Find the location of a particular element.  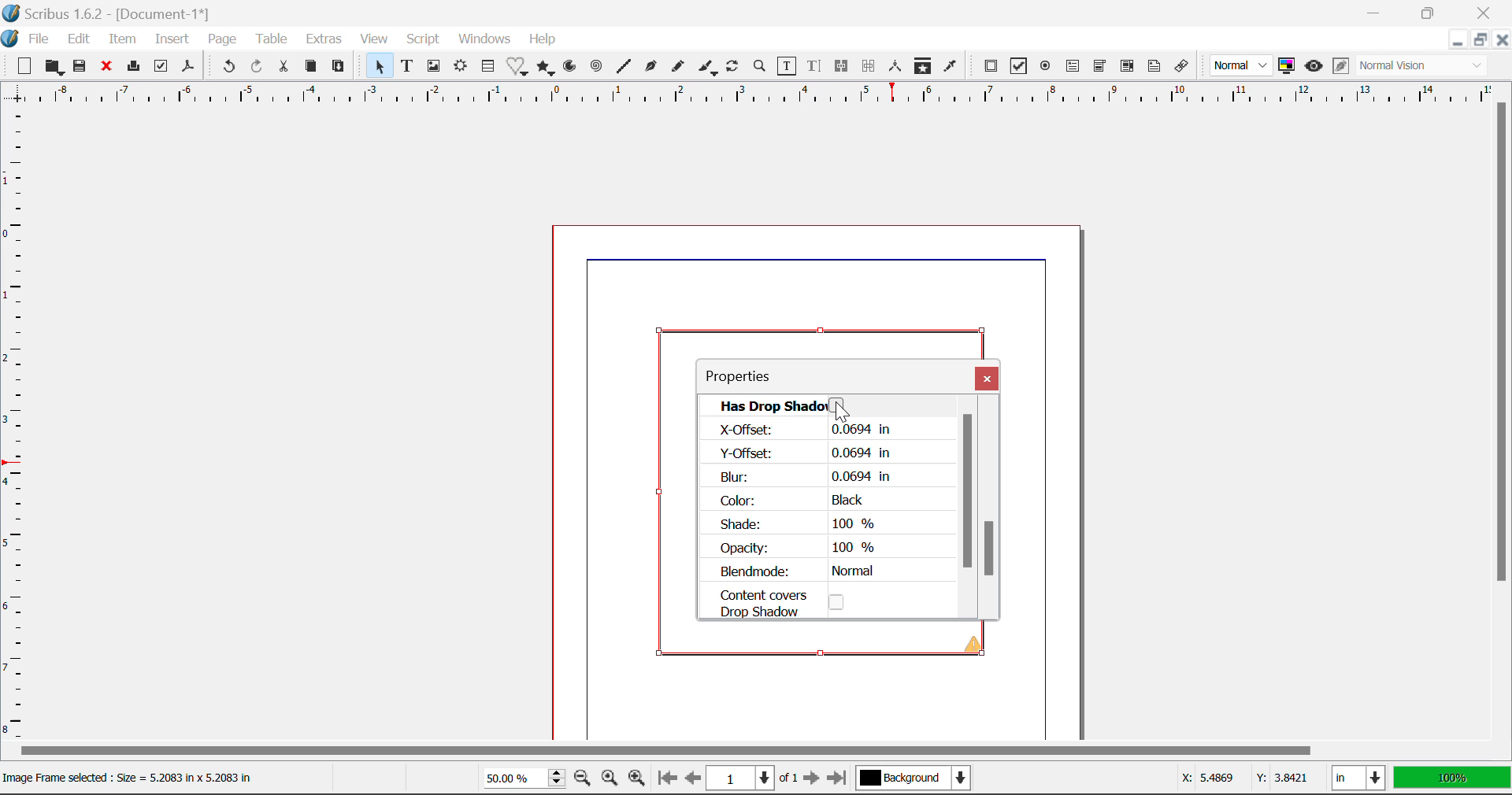

Script is located at coordinates (424, 38).